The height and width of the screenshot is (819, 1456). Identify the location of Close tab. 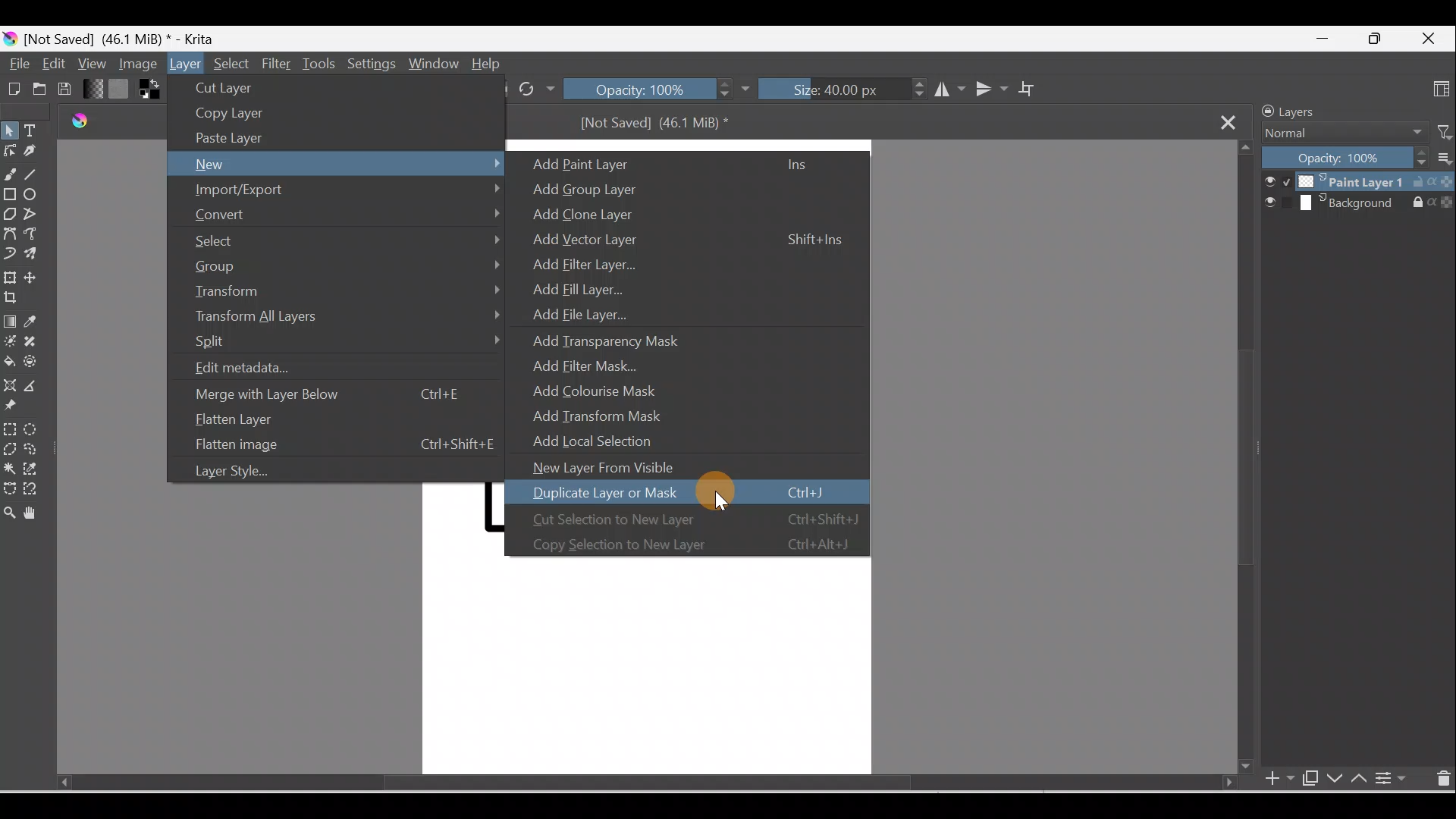
(1232, 122).